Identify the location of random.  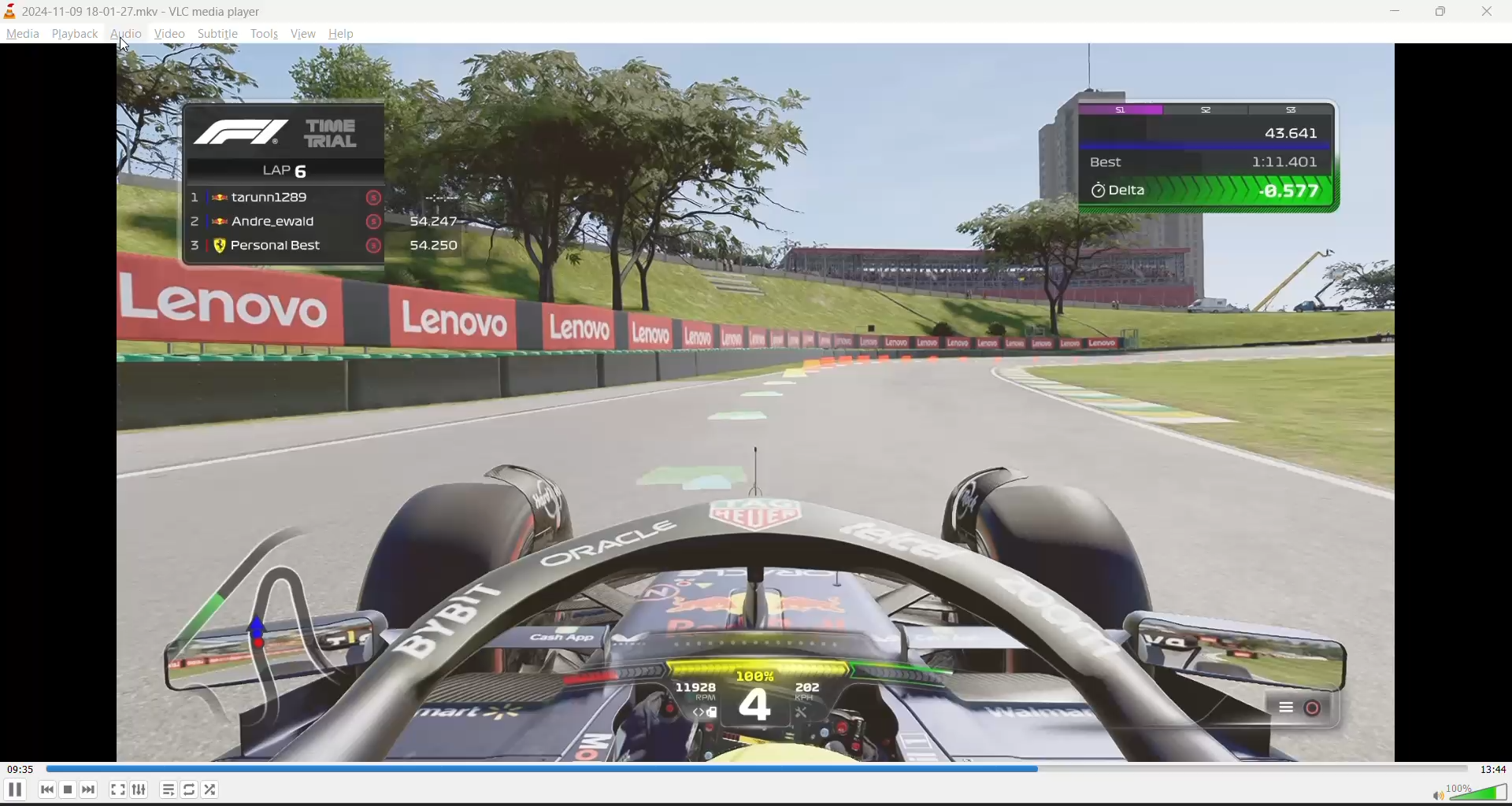
(211, 789).